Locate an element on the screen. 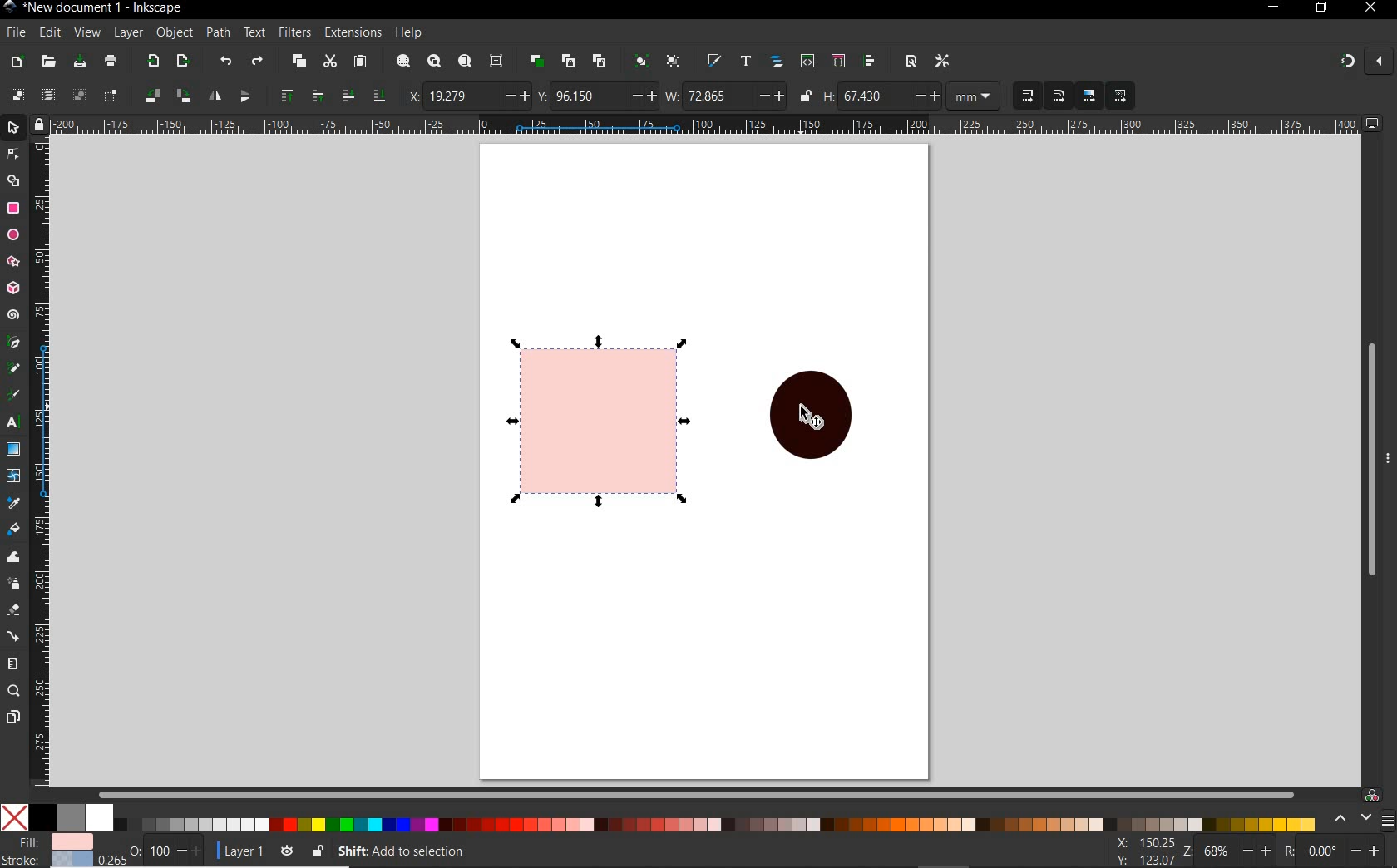 This screenshot has width=1397, height=868. tweak tool is located at coordinates (12, 559).